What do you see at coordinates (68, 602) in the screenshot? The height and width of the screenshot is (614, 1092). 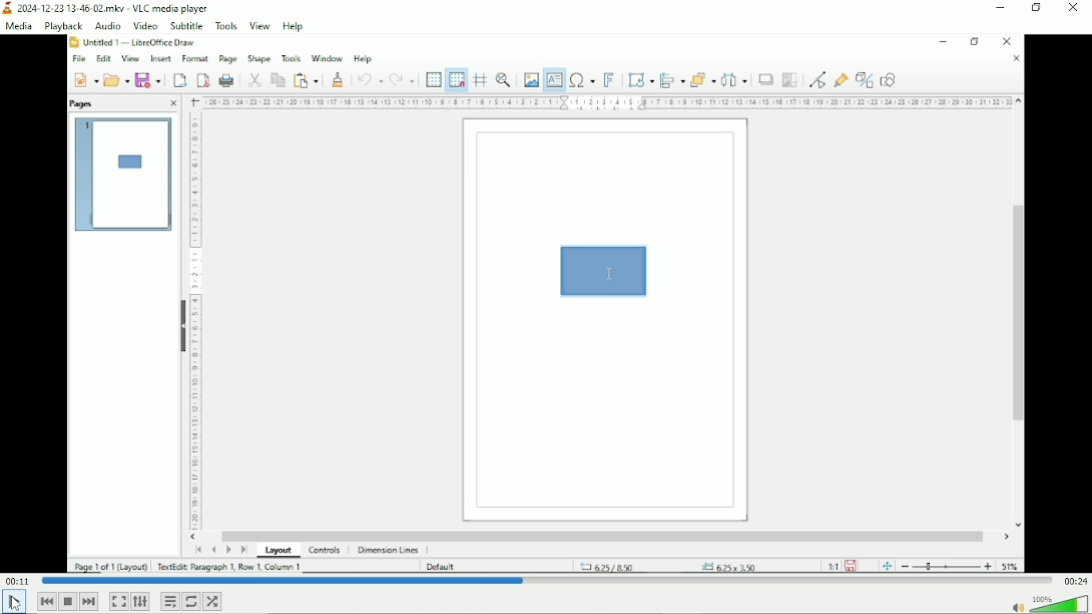 I see `Stop playback` at bounding box center [68, 602].